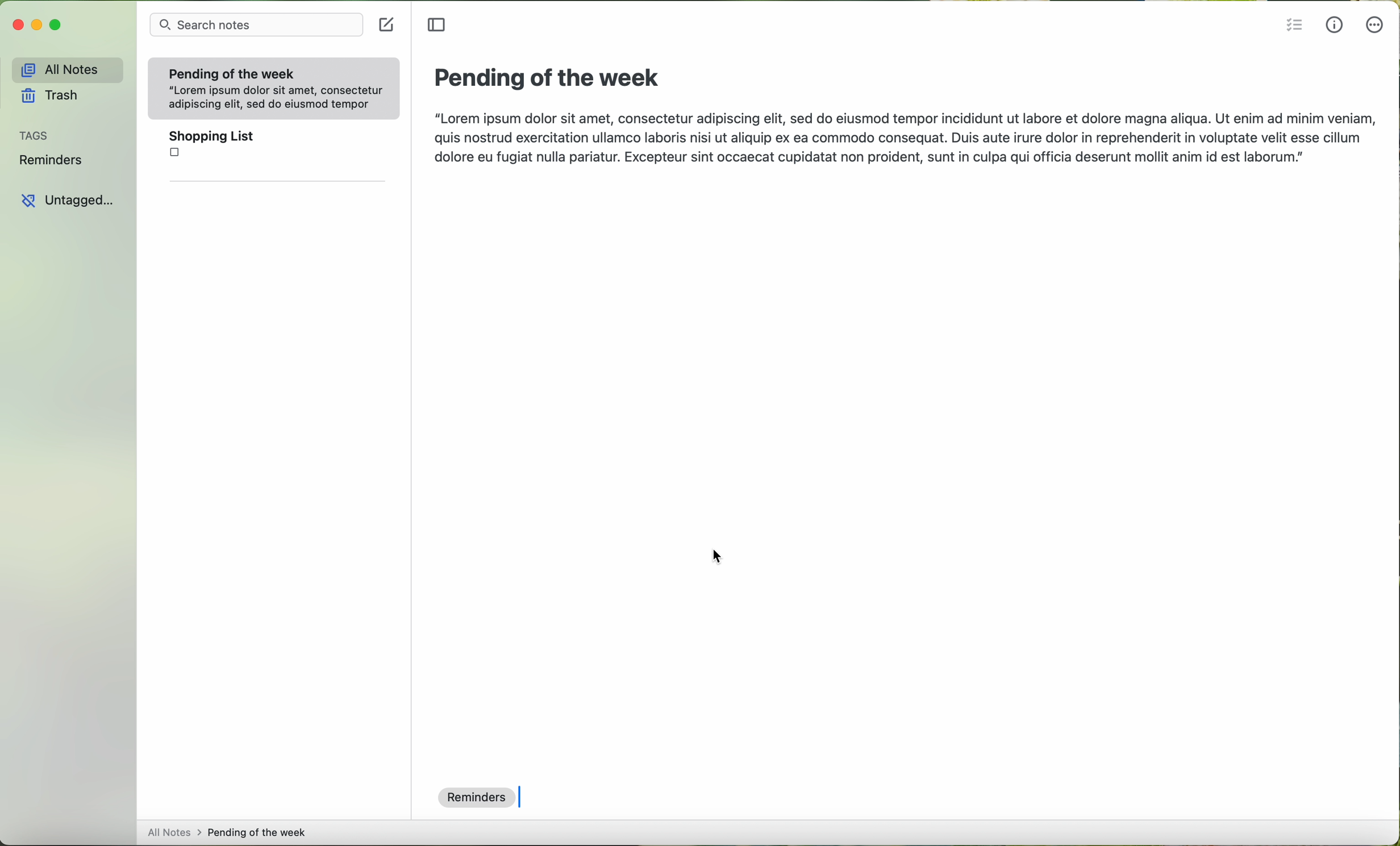  Describe the element at coordinates (389, 26) in the screenshot. I see `create a note` at that location.